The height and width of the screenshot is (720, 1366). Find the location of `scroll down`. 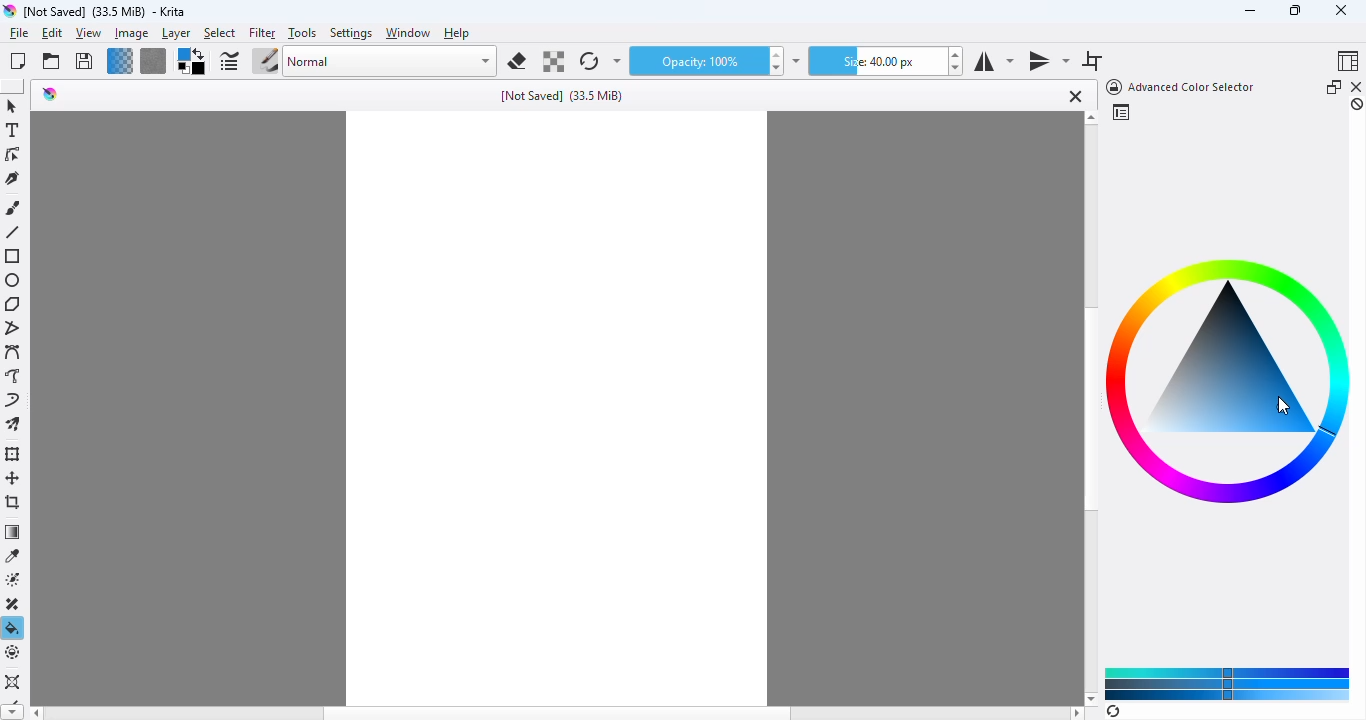

scroll down is located at coordinates (1091, 698).